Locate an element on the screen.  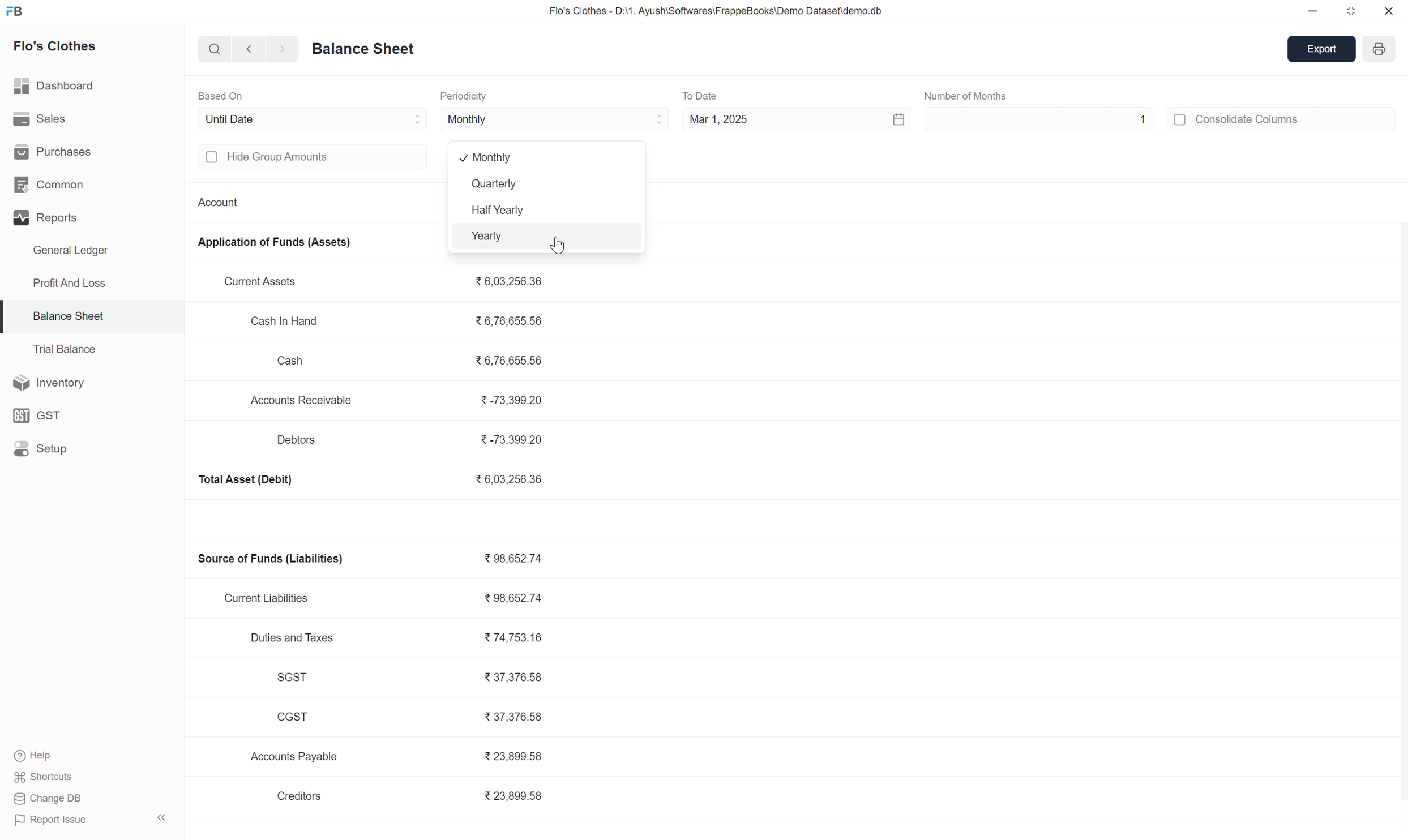
1 is located at coordinates (1145, 120).